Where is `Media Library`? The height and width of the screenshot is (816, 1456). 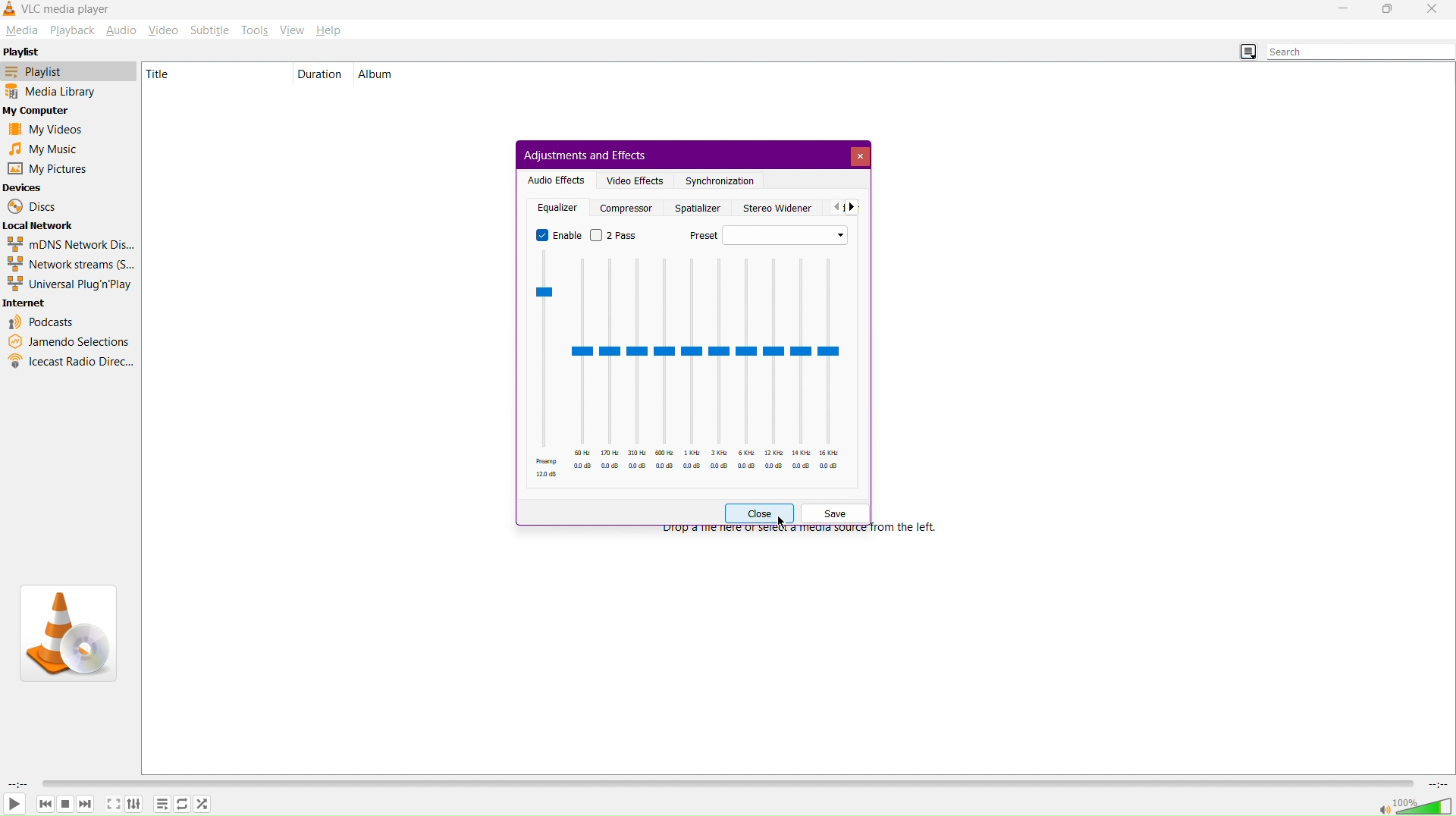
Media Library is located at coordinates (69, 92).